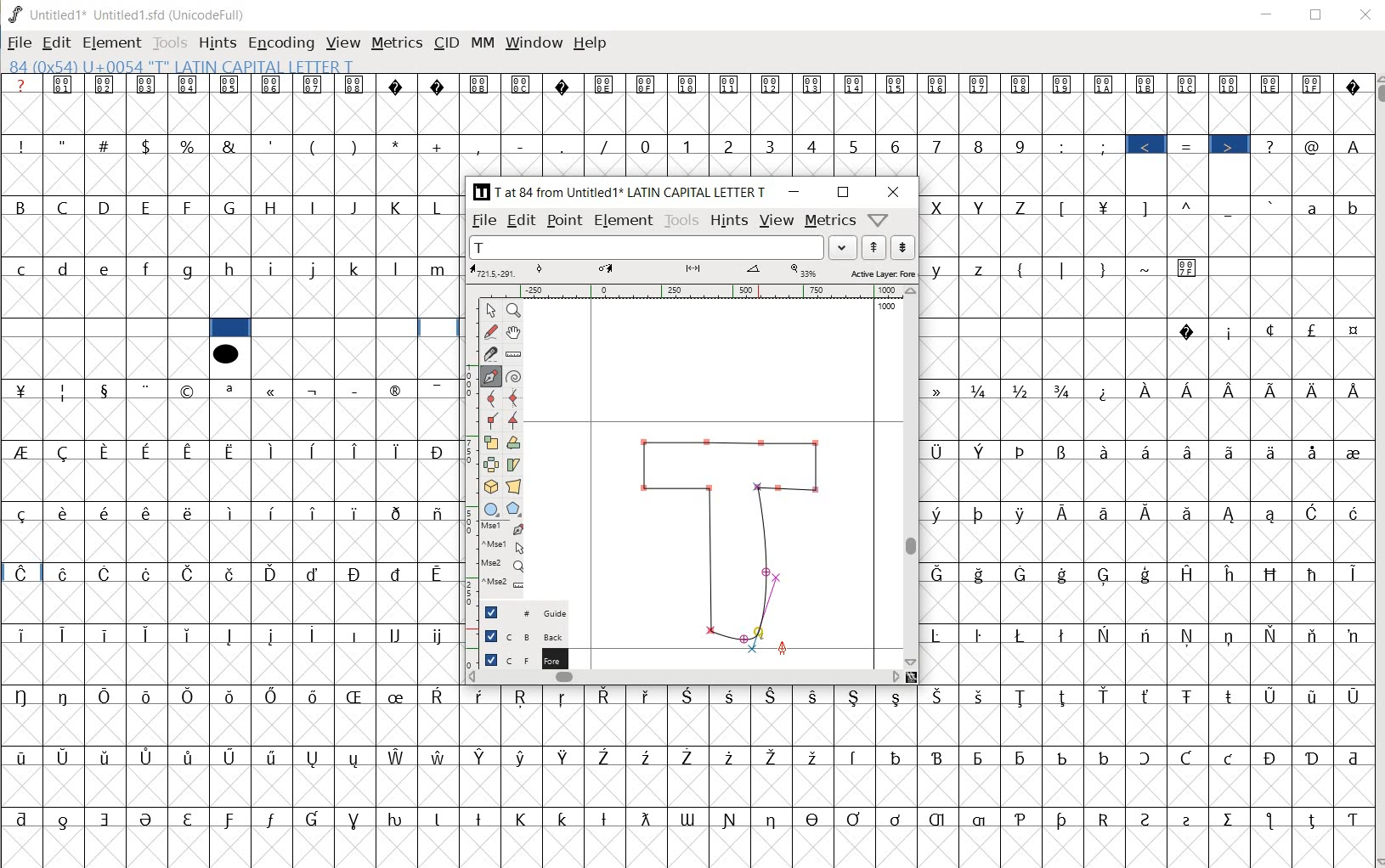  What do you see at coordinates (1021, 817) in the screenshot?
I see `Symbol` at bounding box center [1021, 817].